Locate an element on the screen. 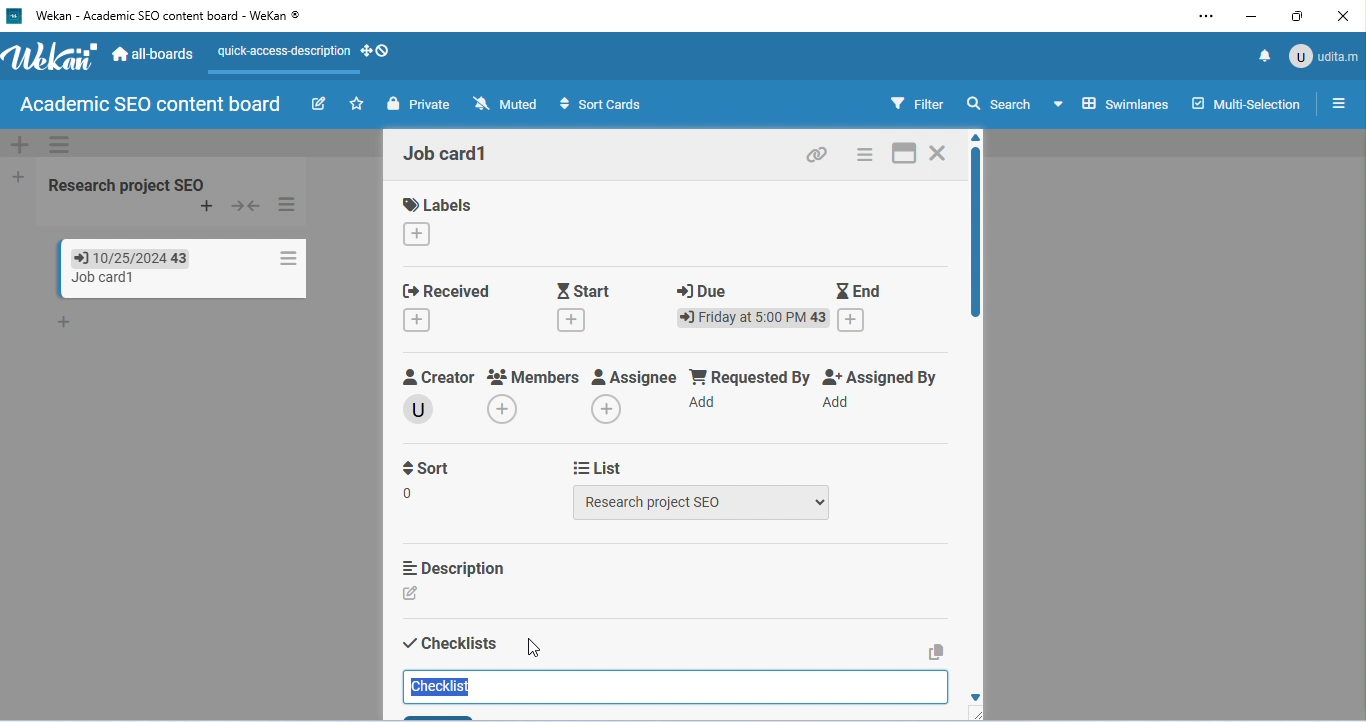 Image resolution: width=1366 pixels, height=722 pixels. due is located at coordinates (704, 291).